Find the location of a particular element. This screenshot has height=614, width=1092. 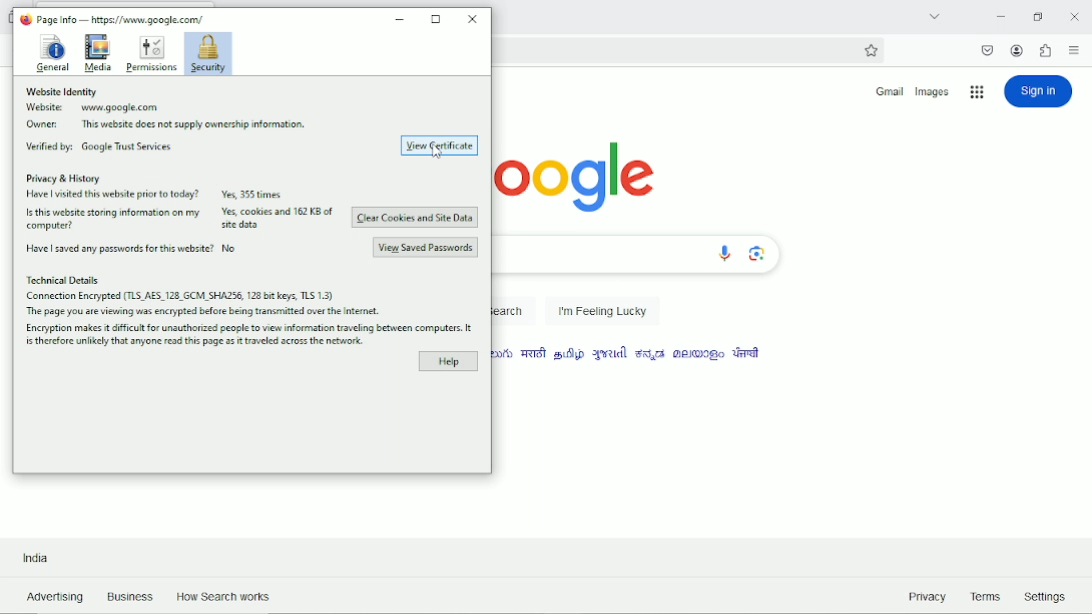

language is located at coordinates (567, 354).